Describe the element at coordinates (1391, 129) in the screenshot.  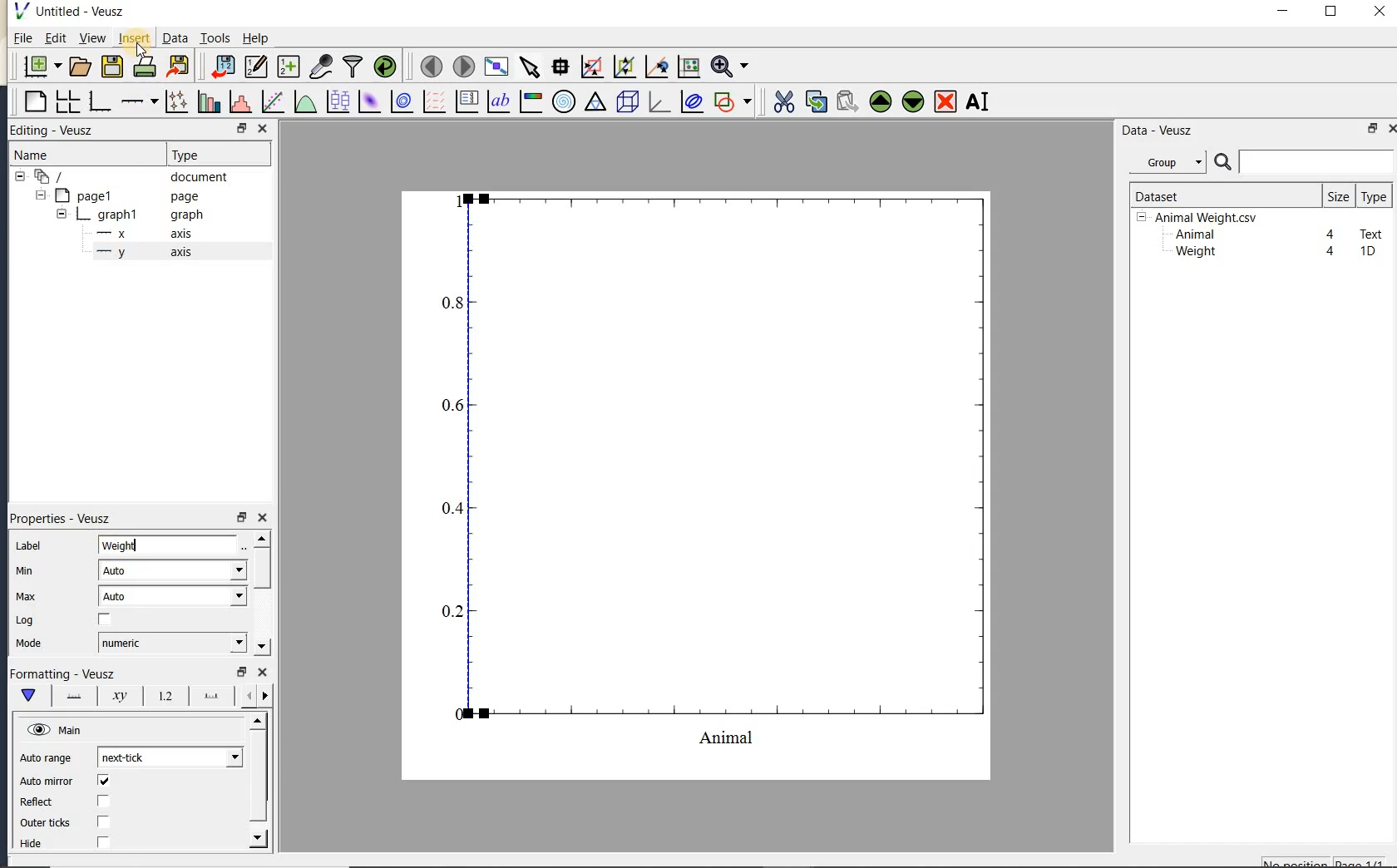
I see `close` at that location.